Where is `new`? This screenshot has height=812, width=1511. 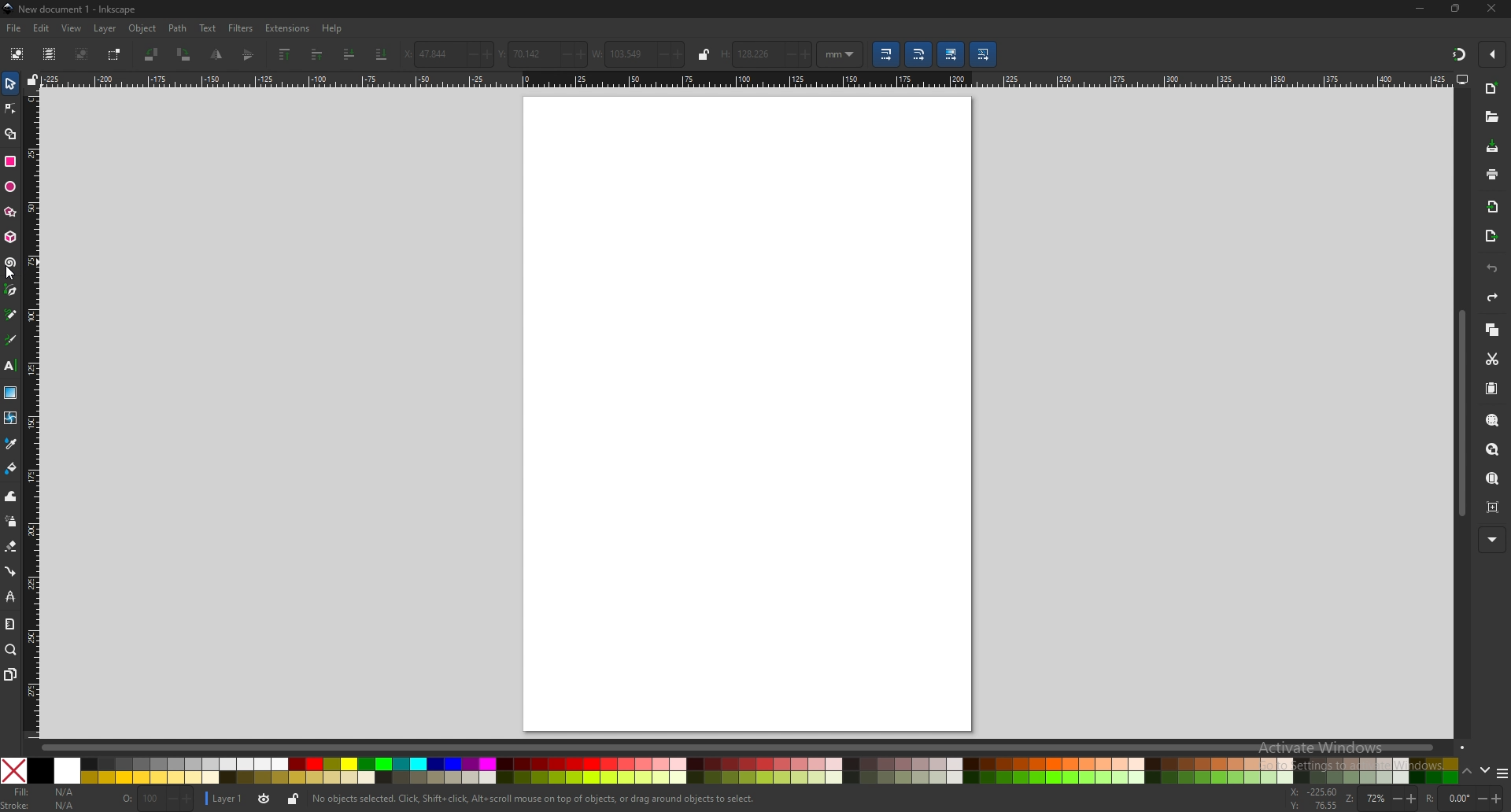
new is located at coordinates (1492, 89).